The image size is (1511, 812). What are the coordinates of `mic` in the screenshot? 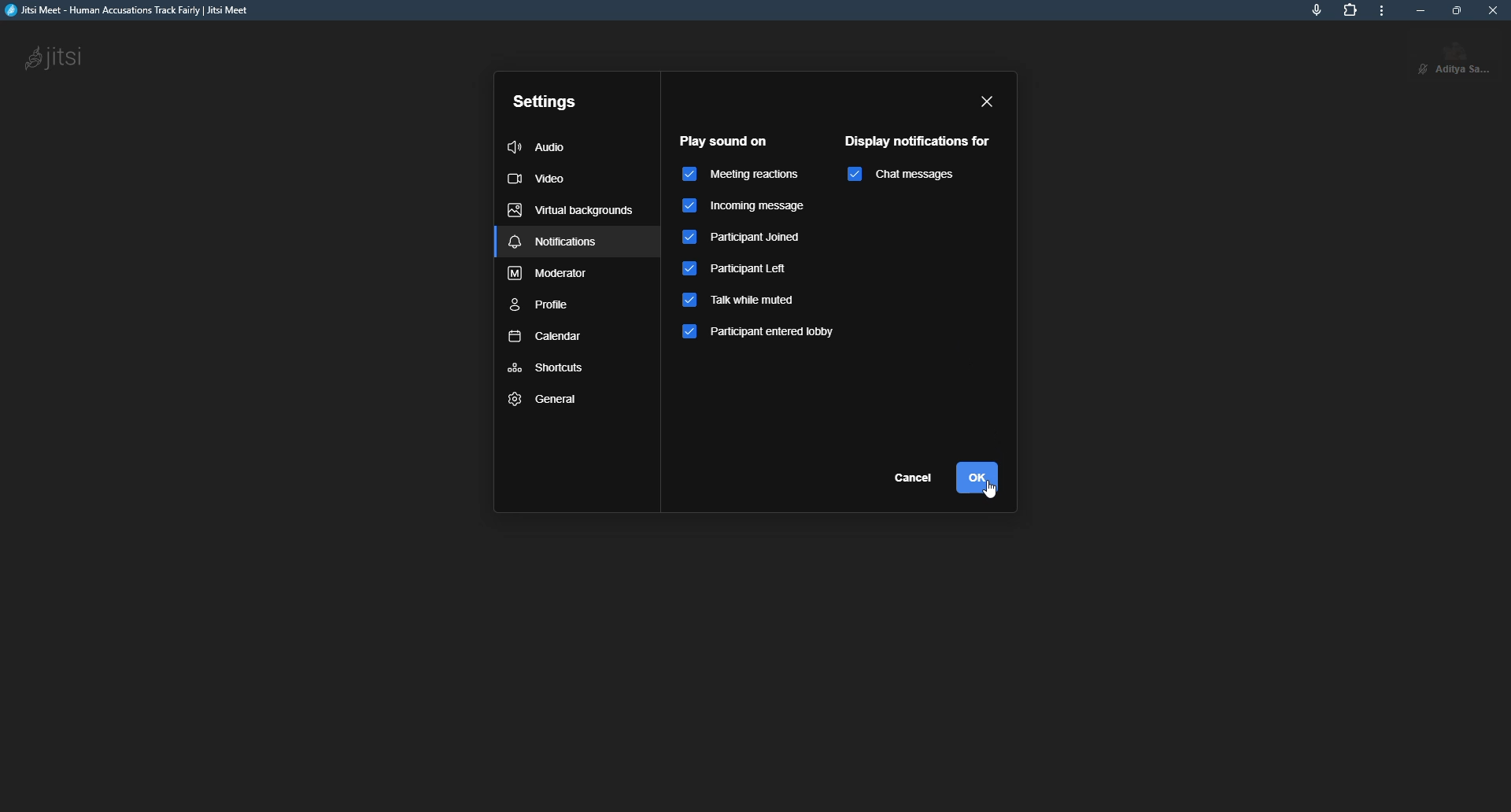 It's located at (1316, 8).